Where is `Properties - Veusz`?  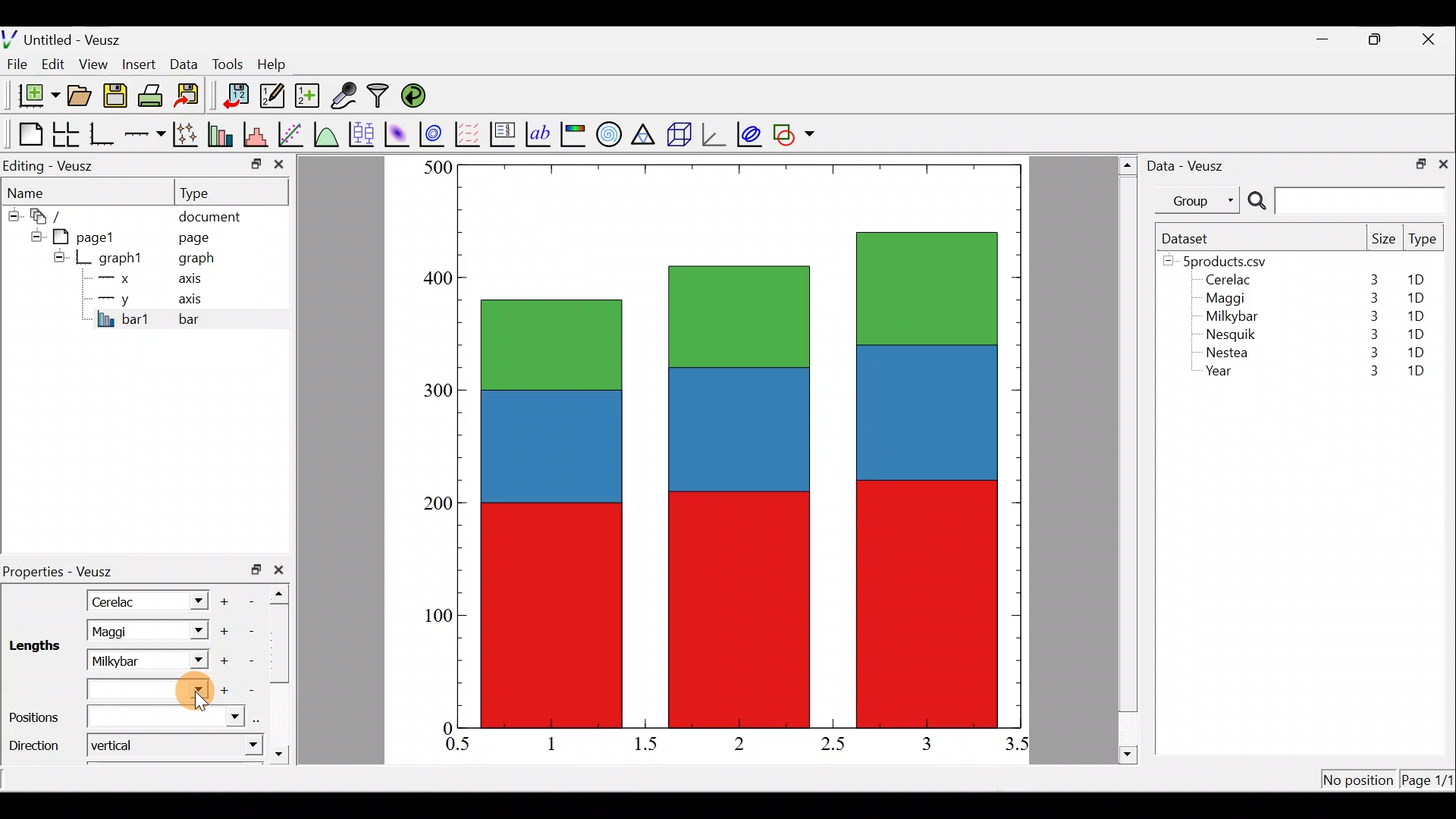 Properties - Veusz is located at coordinates (64, 572).